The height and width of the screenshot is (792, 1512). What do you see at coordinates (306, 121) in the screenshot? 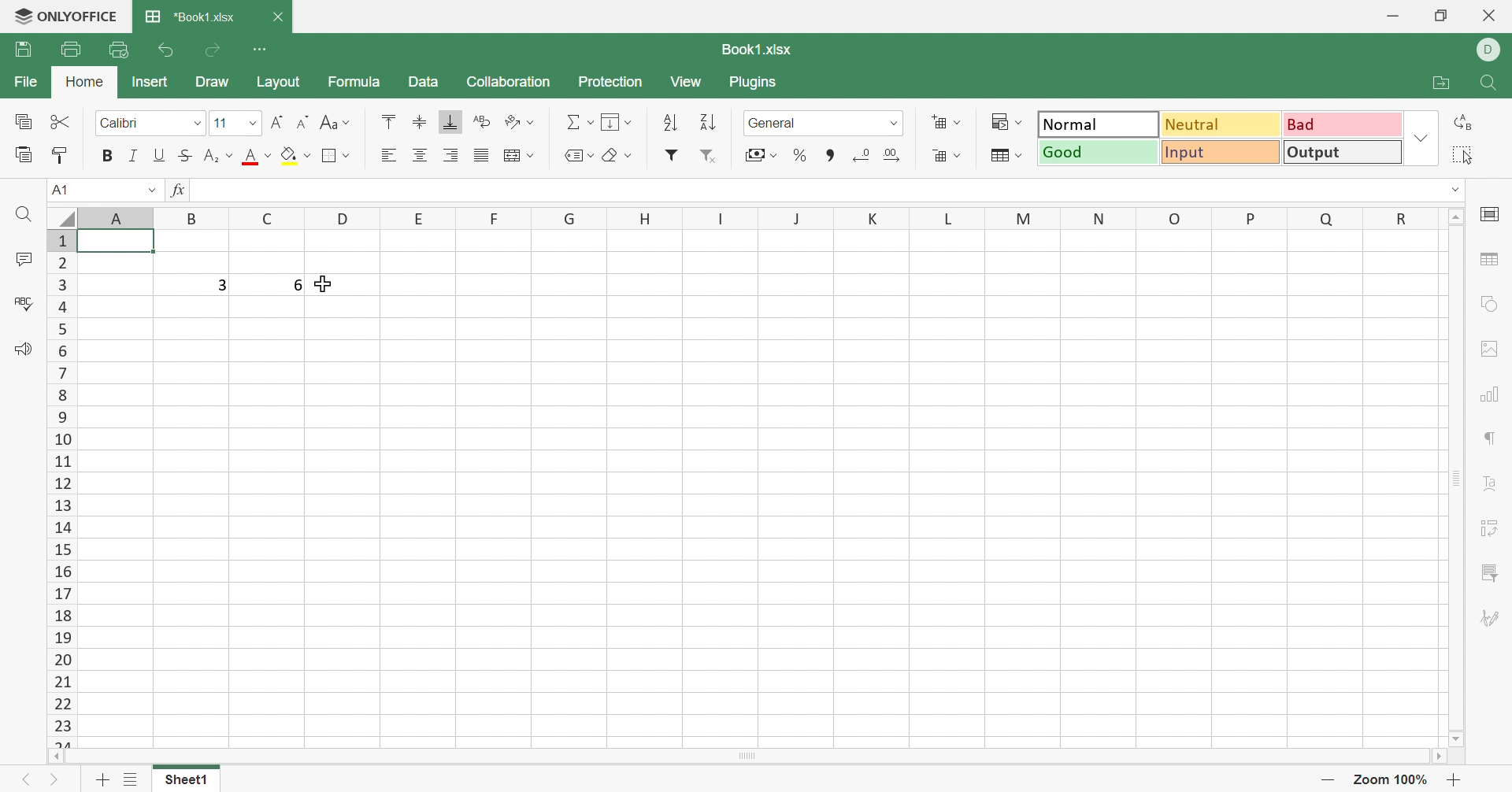
I see `Decrement font size` at bounding box center [306, 121].